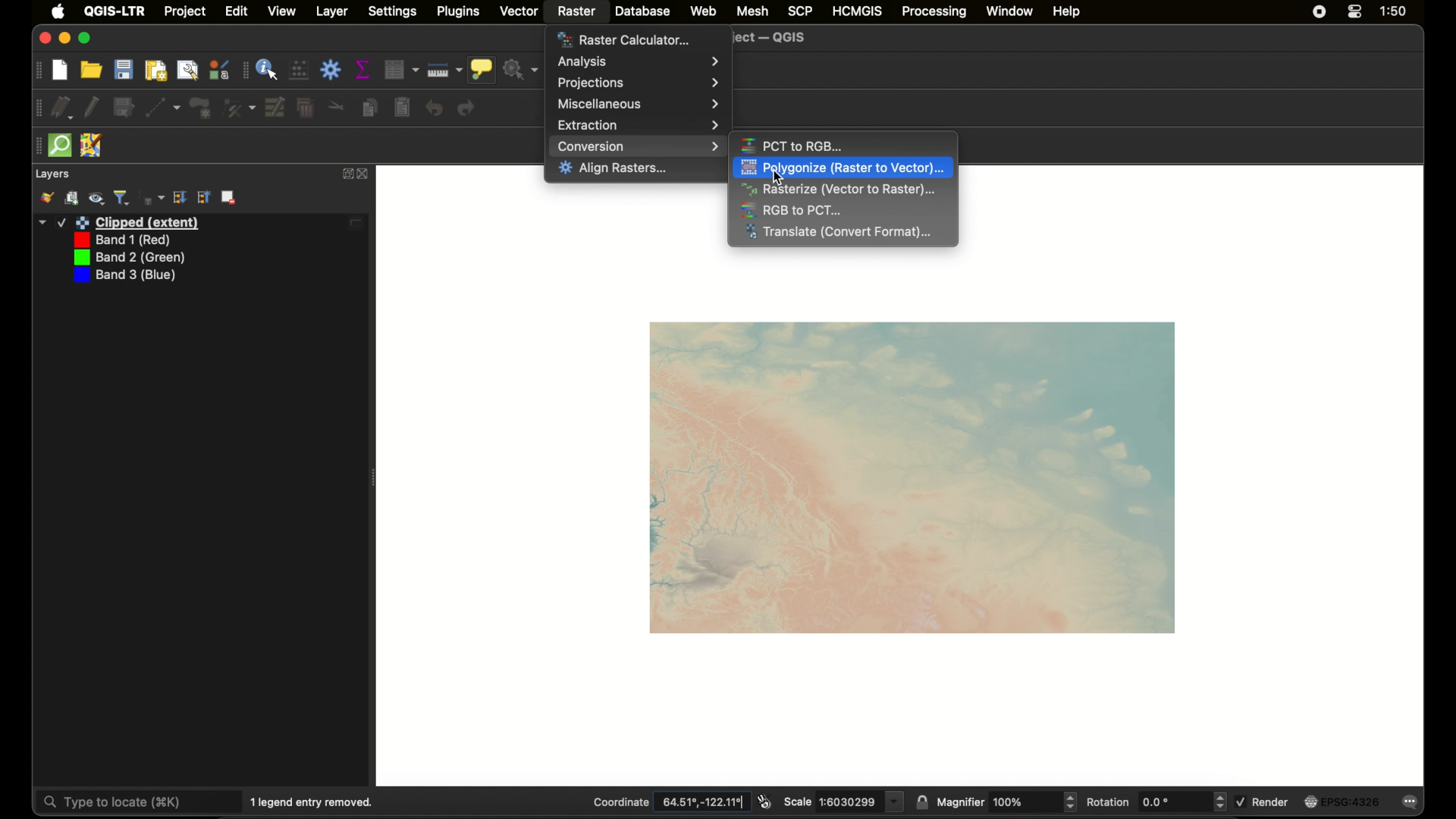 The width and height of the screenshot is (1456, 819). I want to click on QGIS - LTR, so click(115, 11).